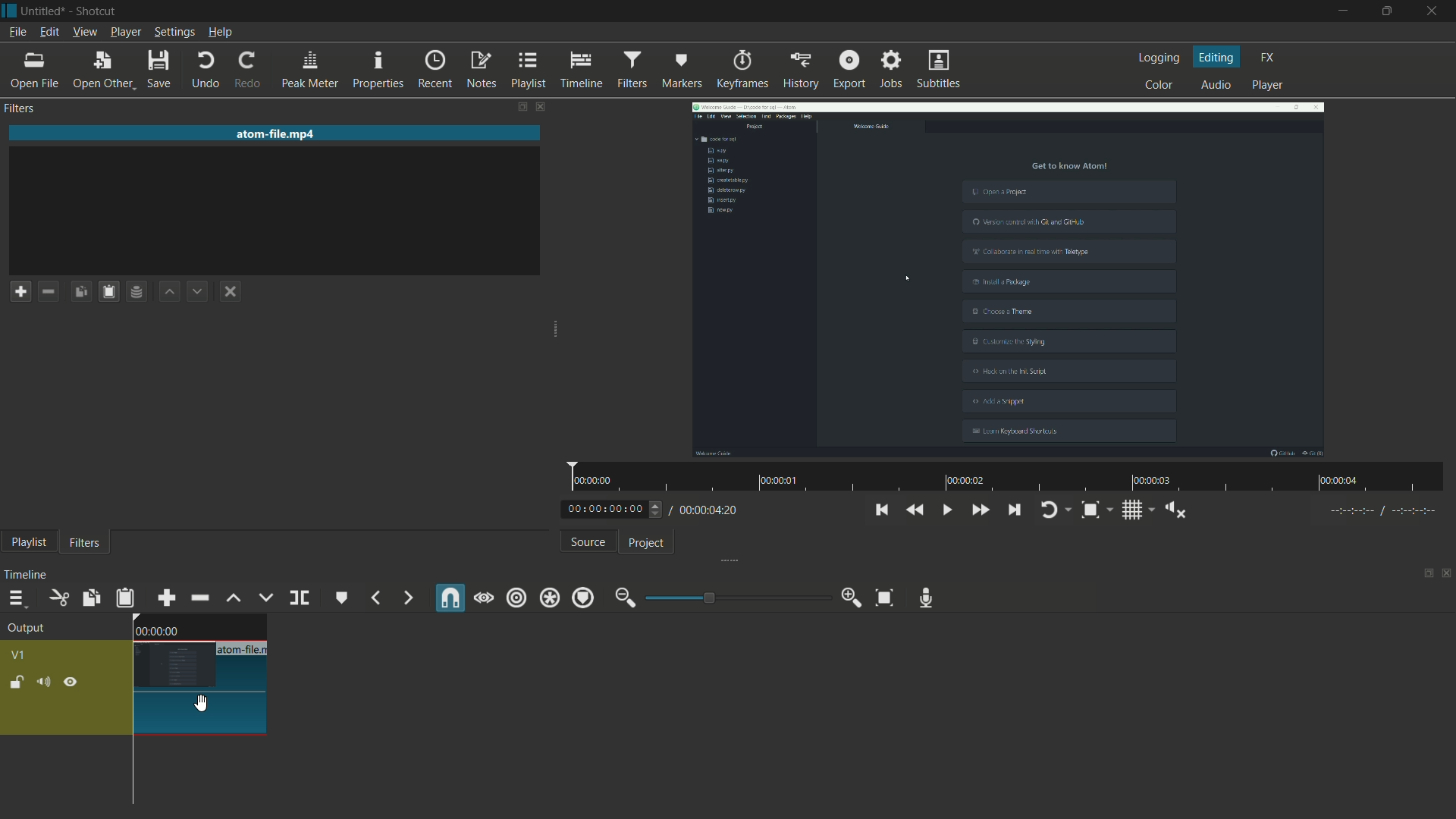 This screenshot has width=1456, height=819. What do you see at coordinates (526, 69) in the screenshot?
I see `playlist` at bounding box center [526, 69].